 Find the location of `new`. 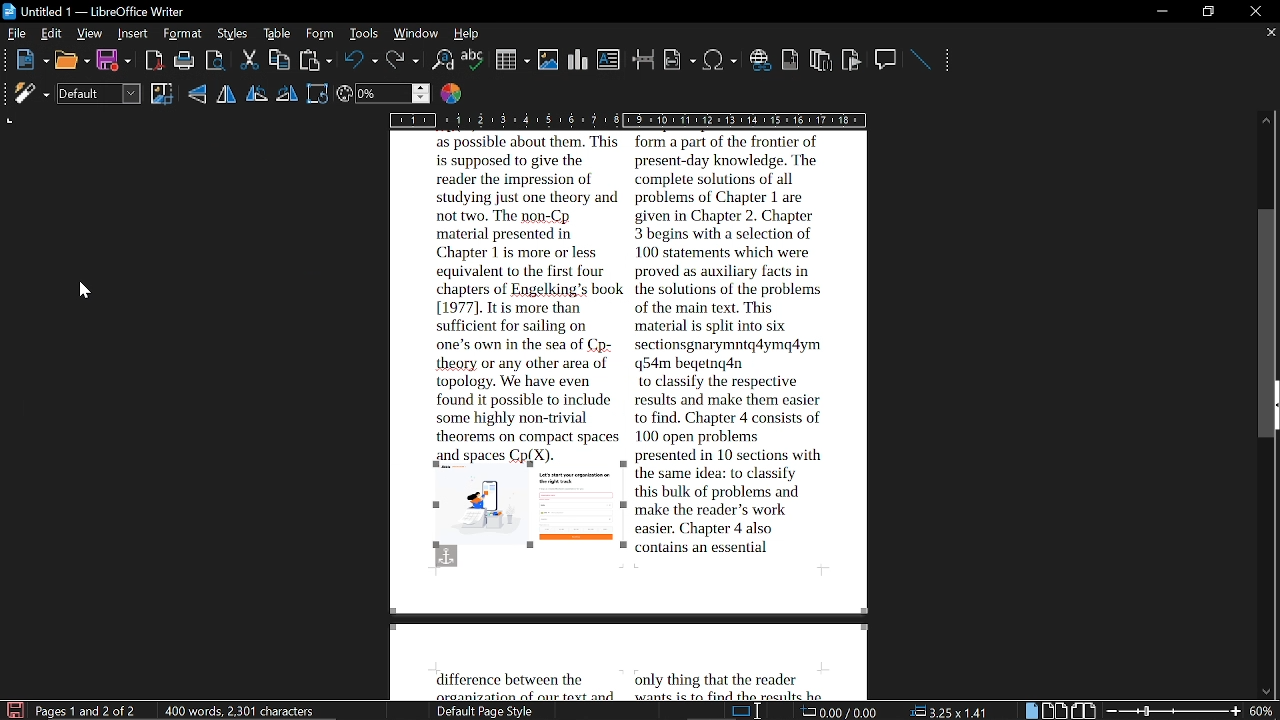

new is located at coordinates (28, 61).